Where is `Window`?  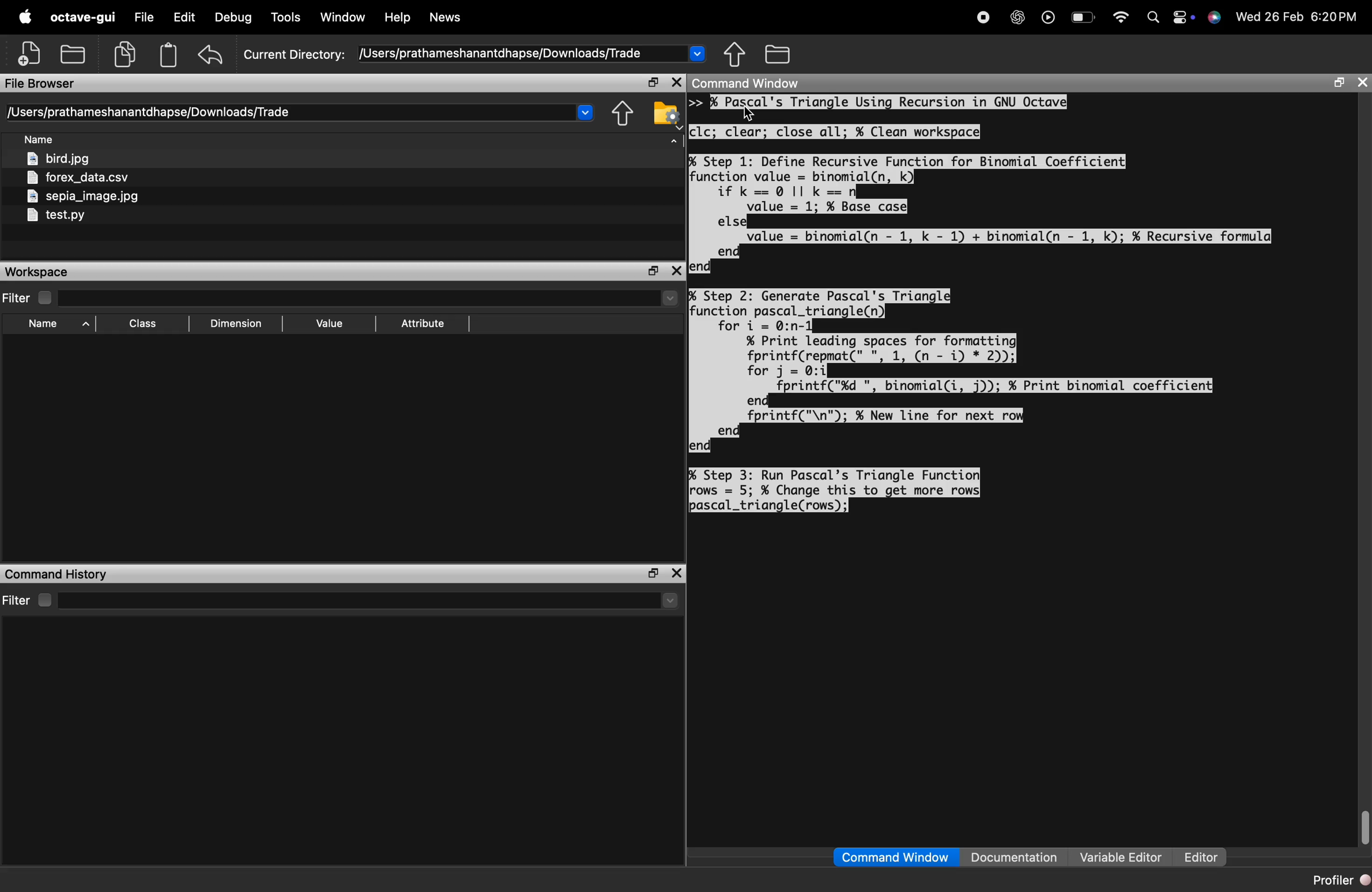
Window is located at coordinates (342, 17).